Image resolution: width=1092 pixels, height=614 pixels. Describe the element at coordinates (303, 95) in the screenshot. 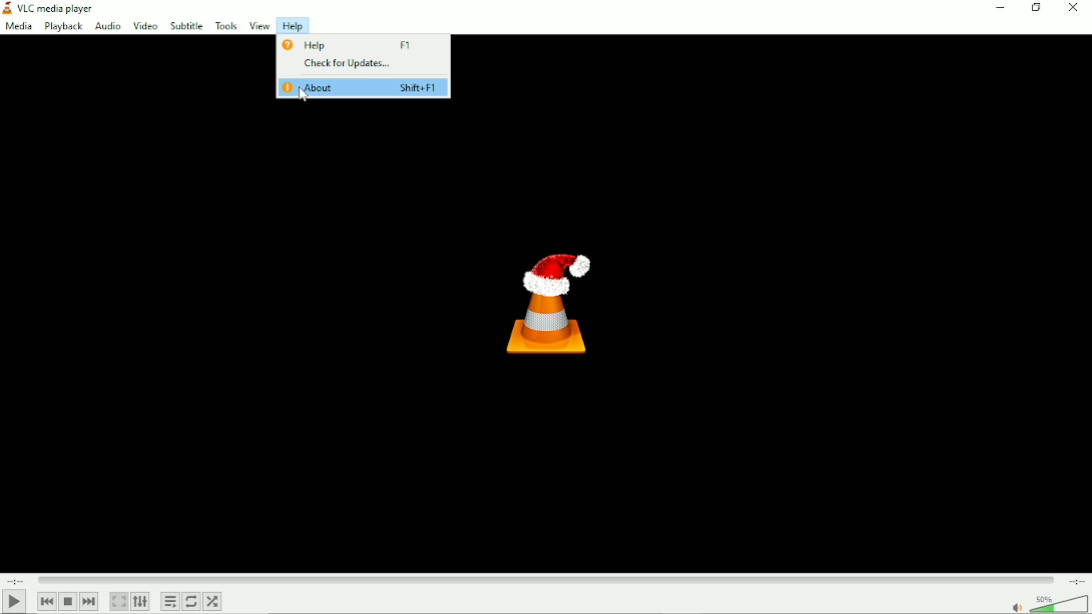

I see `Cursor` at that location.